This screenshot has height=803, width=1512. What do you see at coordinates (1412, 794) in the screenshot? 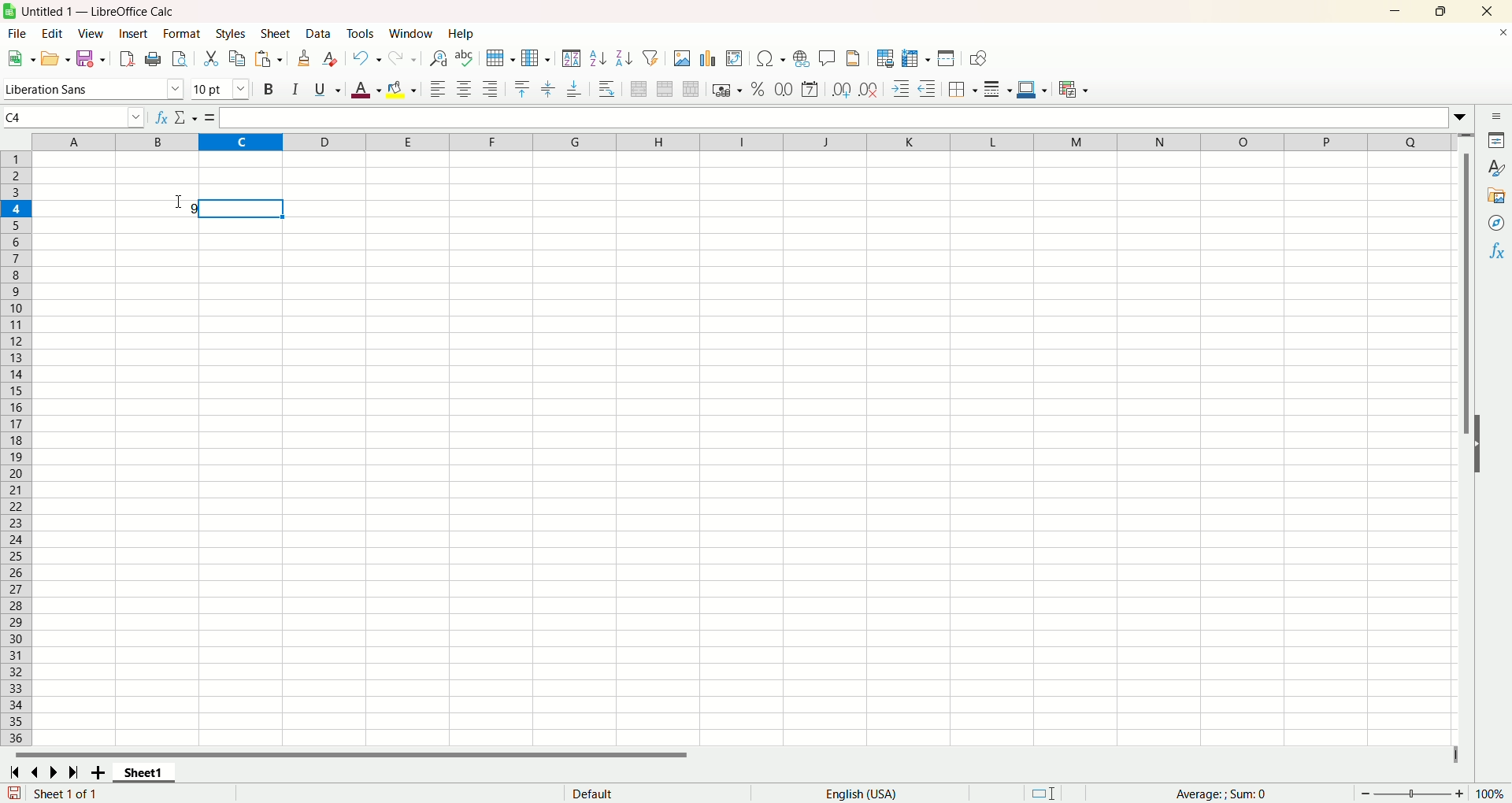
I see `zoom bar` at bounding box center [1412, 794].